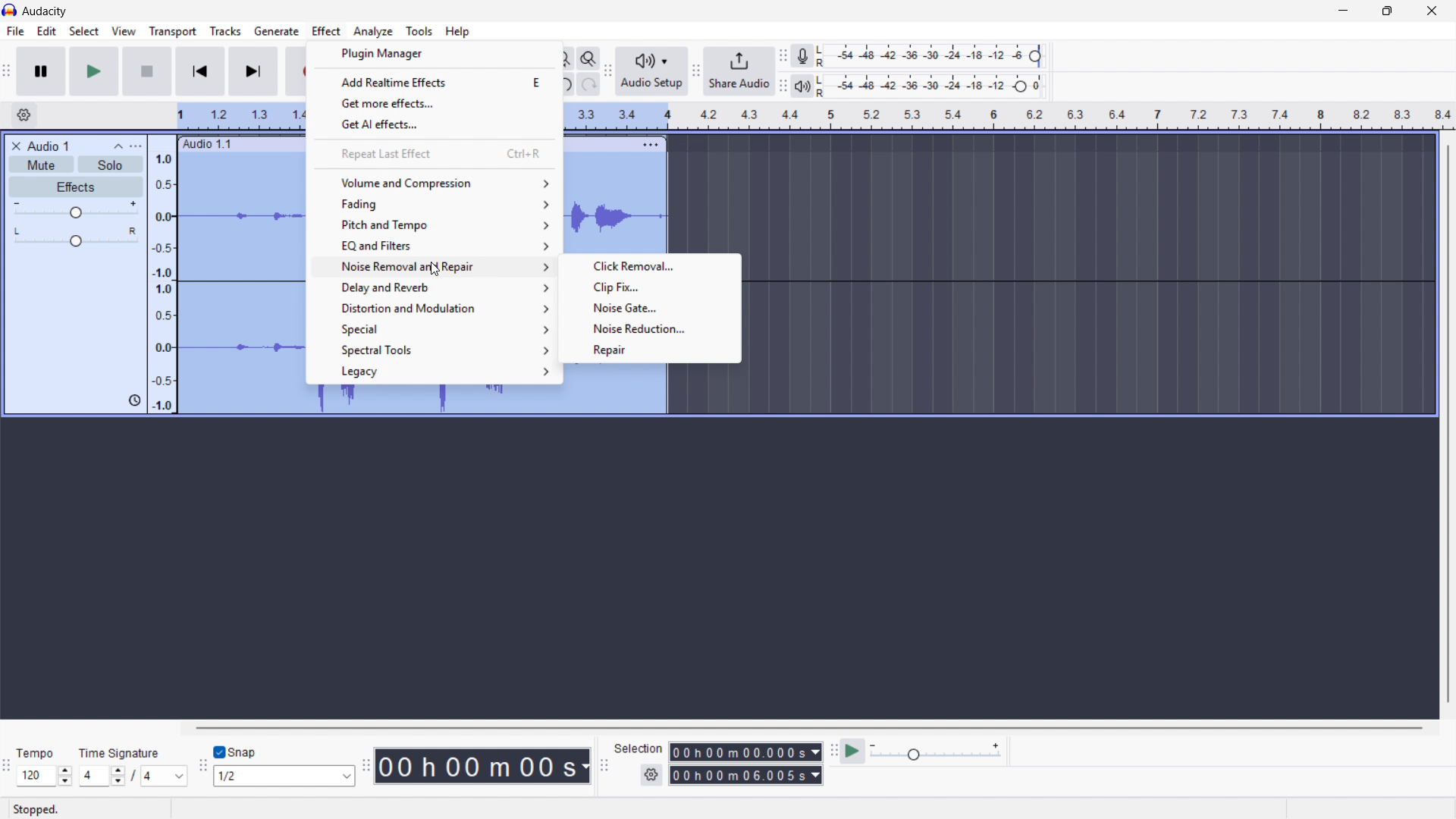 This screenshot has height=819, width=1456. Describe the element at coordinates (434, 224) in the screenshot. I see `peach and tempo` at that location.